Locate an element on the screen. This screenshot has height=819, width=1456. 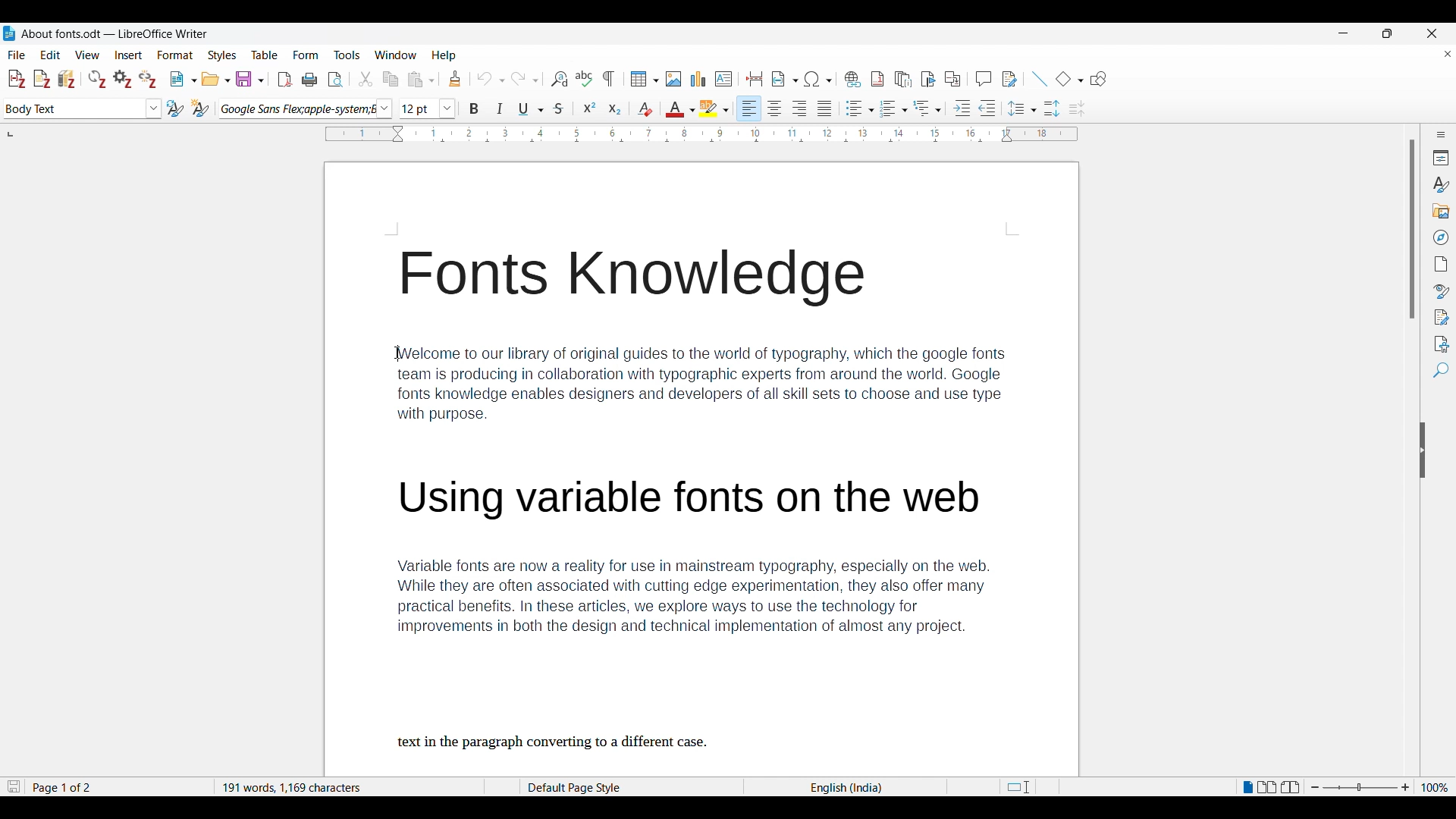
Tools menu is located at coordinates (347, 55).